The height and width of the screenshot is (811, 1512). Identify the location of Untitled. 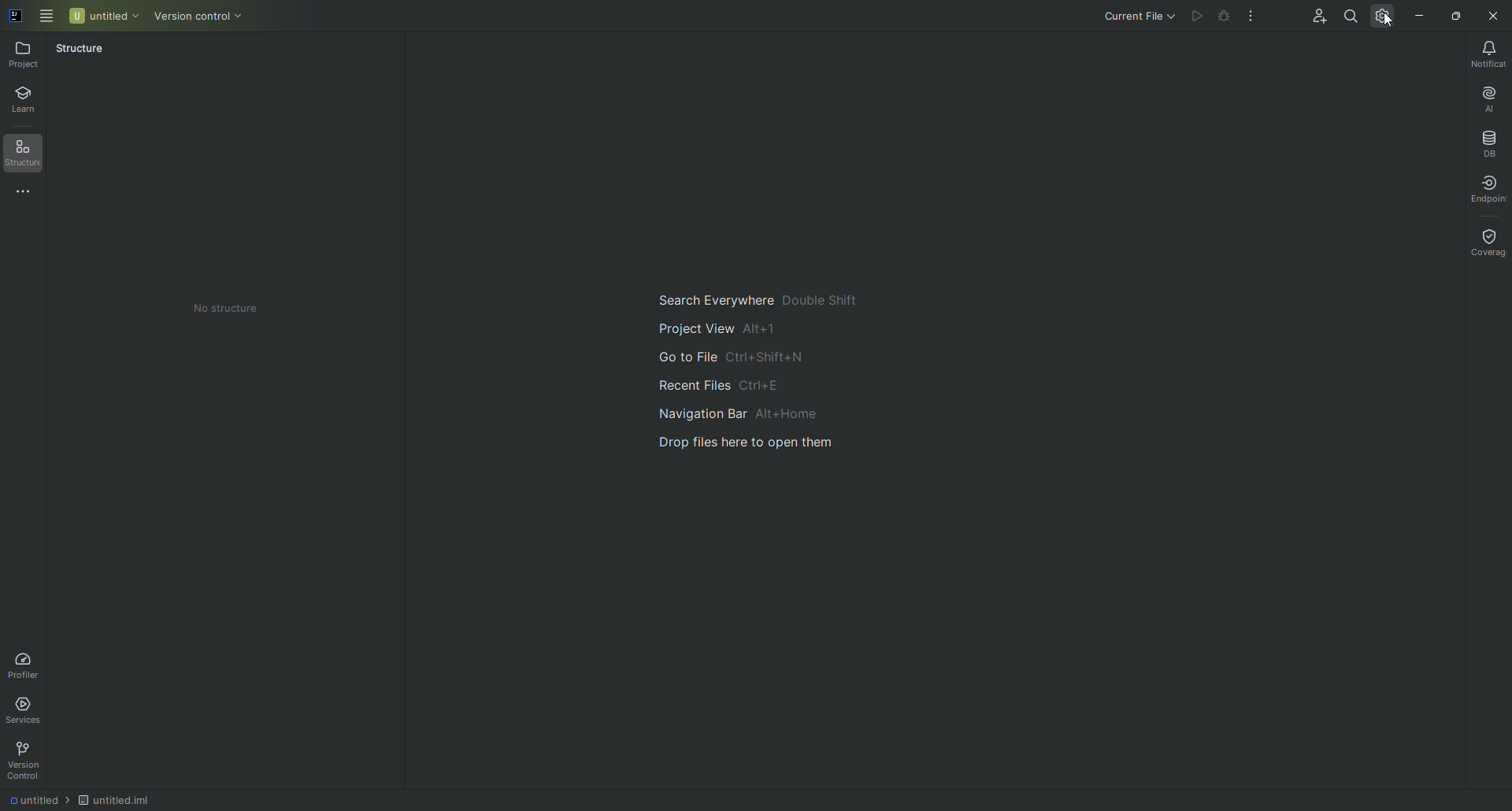
(107, 17).